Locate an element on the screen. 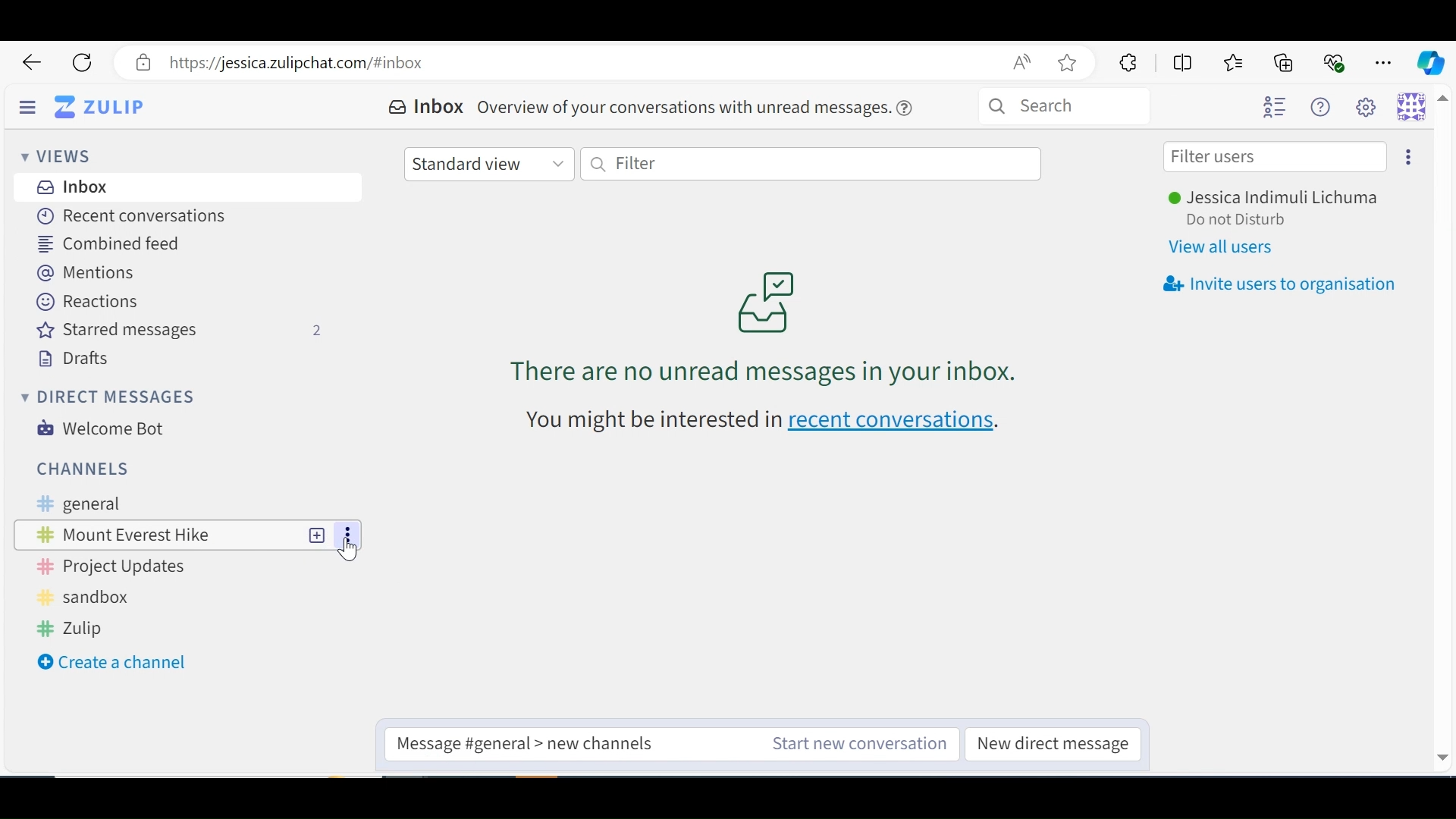 The width and height of the screenshot is (1456, 819).  is located at coordinates (1436, 61).